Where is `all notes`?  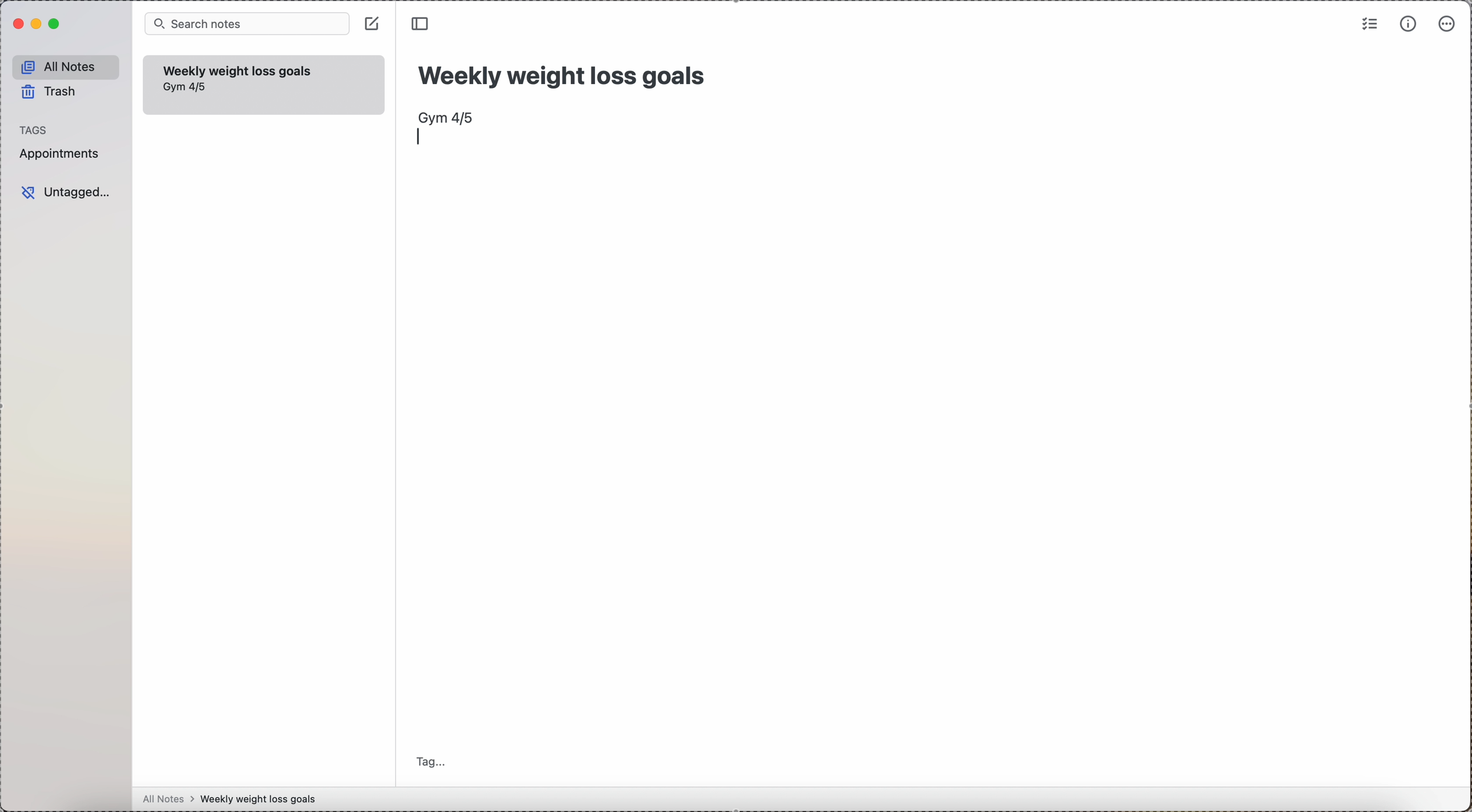
all notes is located at coordinates (66, 66).